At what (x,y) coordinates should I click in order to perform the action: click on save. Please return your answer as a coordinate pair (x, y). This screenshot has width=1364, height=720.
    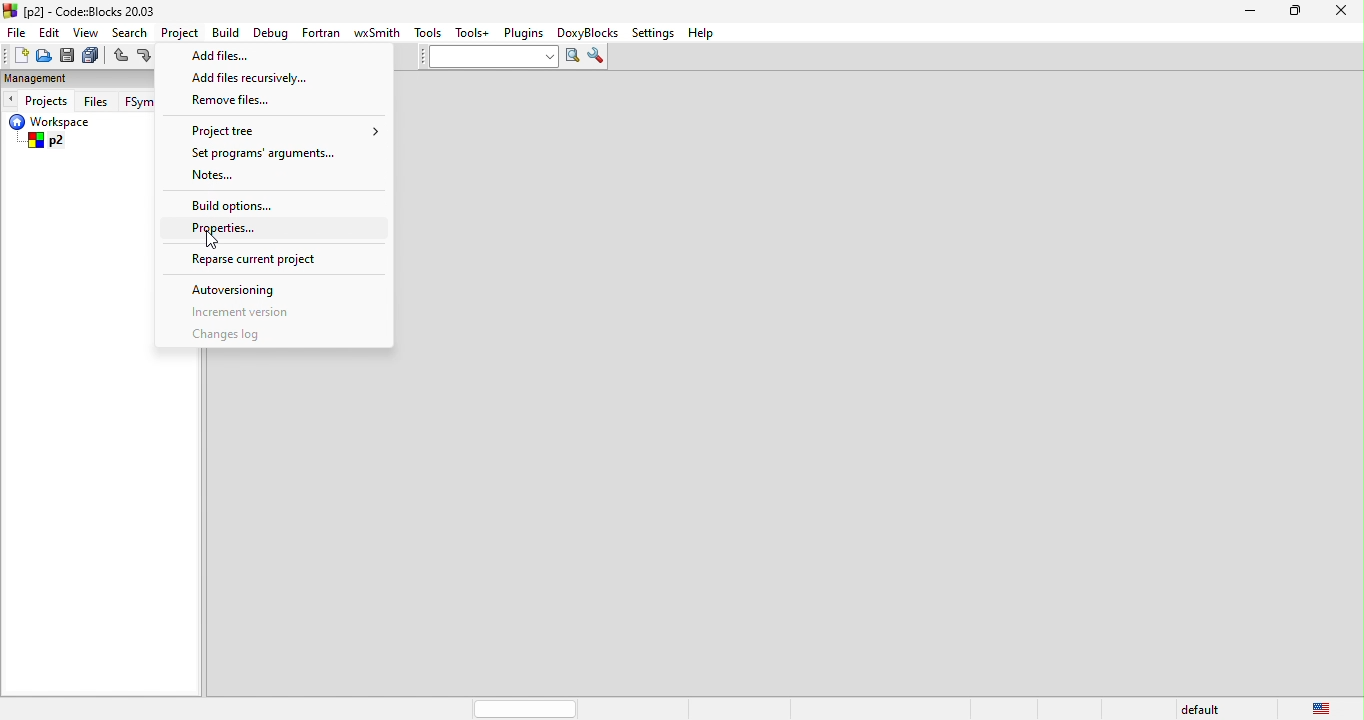
    Looking at the image, I should click on (69, 56).